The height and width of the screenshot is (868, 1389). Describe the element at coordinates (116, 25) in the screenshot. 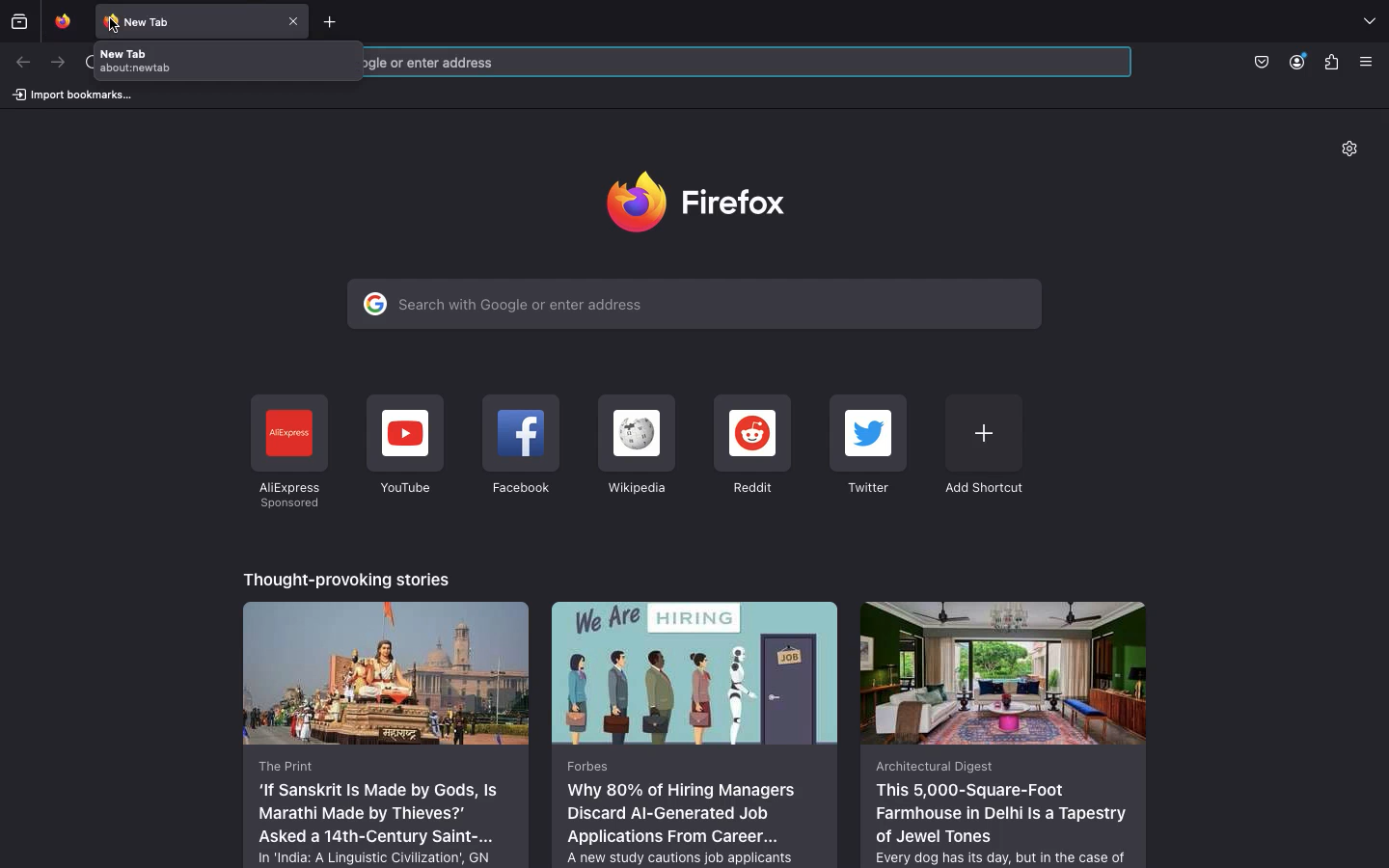

I see `Cursor` at that location.